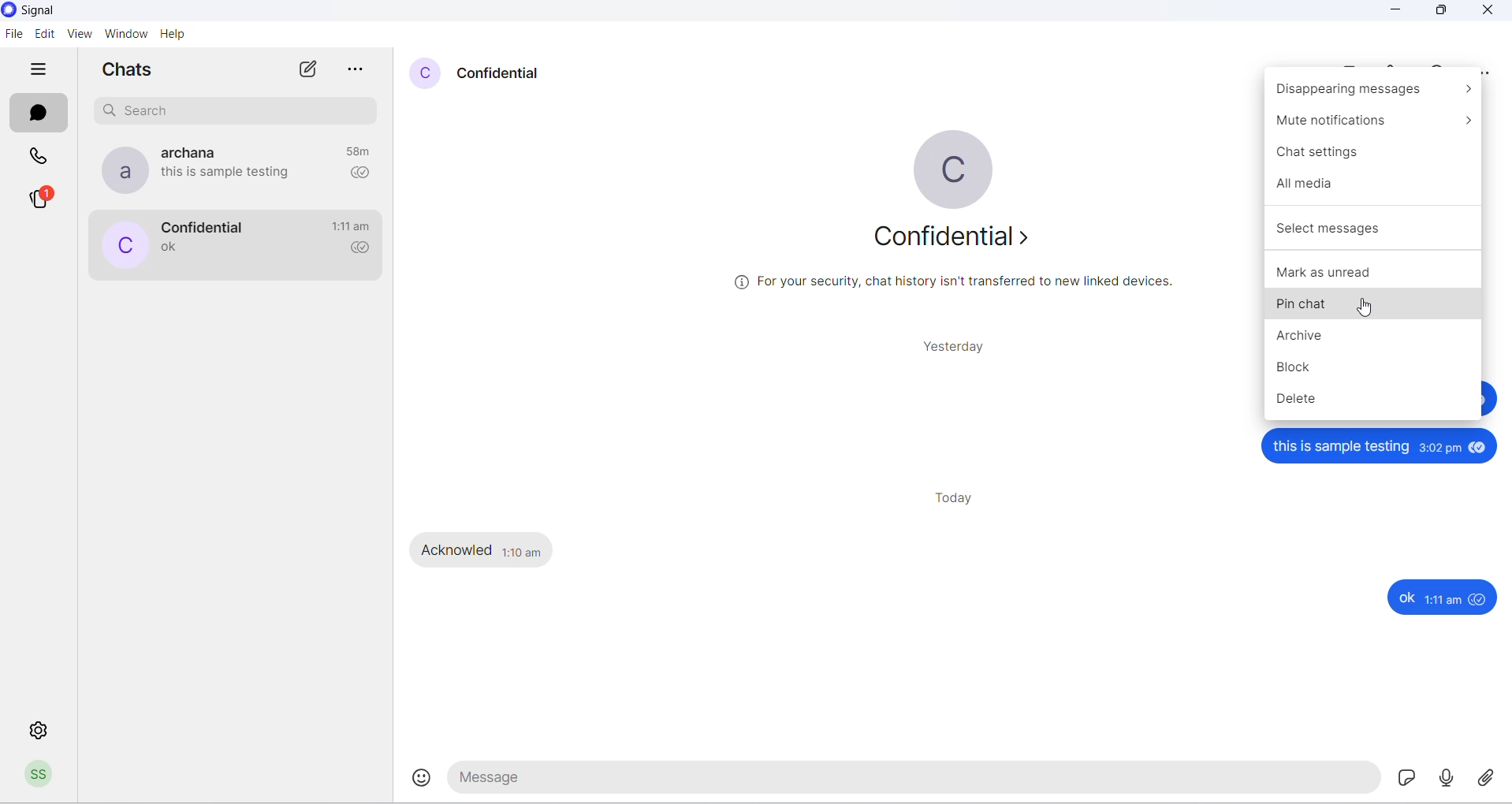 The image size is (1512, 804). Describe the element at coordinates (43, 35) in the screenshot. I see `edit` at that location.